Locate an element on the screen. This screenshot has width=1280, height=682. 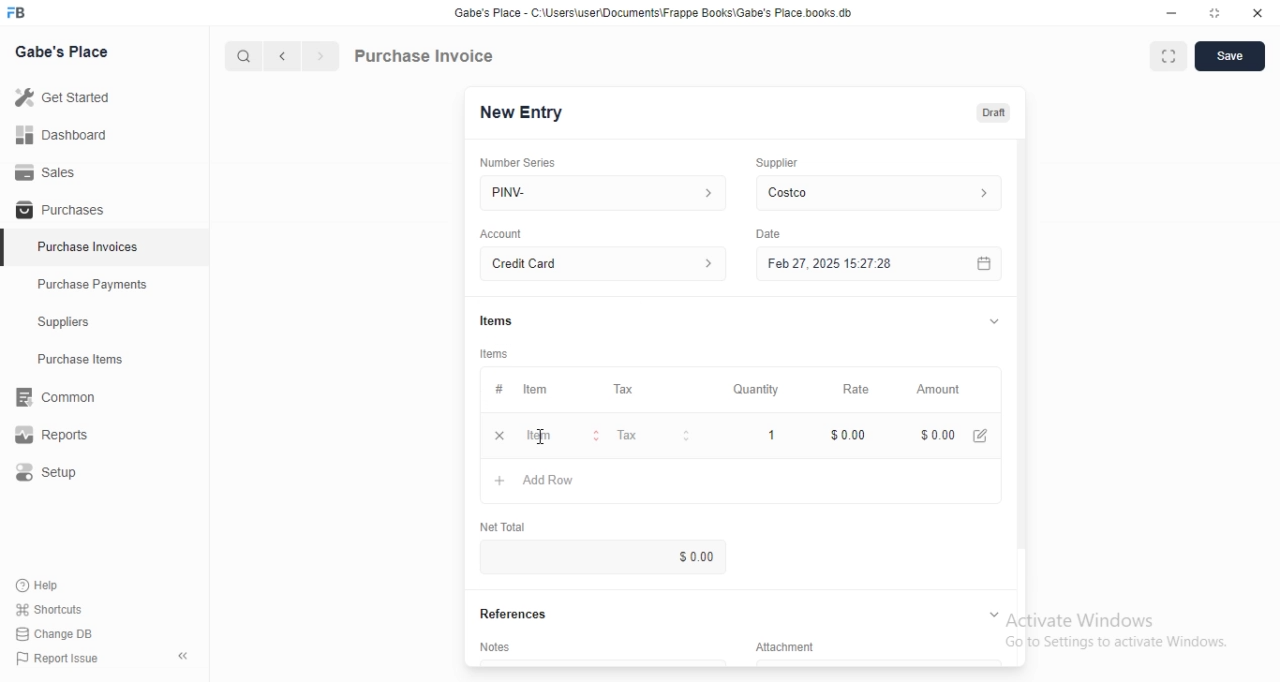
Costco is located at coordinates (879, 193).